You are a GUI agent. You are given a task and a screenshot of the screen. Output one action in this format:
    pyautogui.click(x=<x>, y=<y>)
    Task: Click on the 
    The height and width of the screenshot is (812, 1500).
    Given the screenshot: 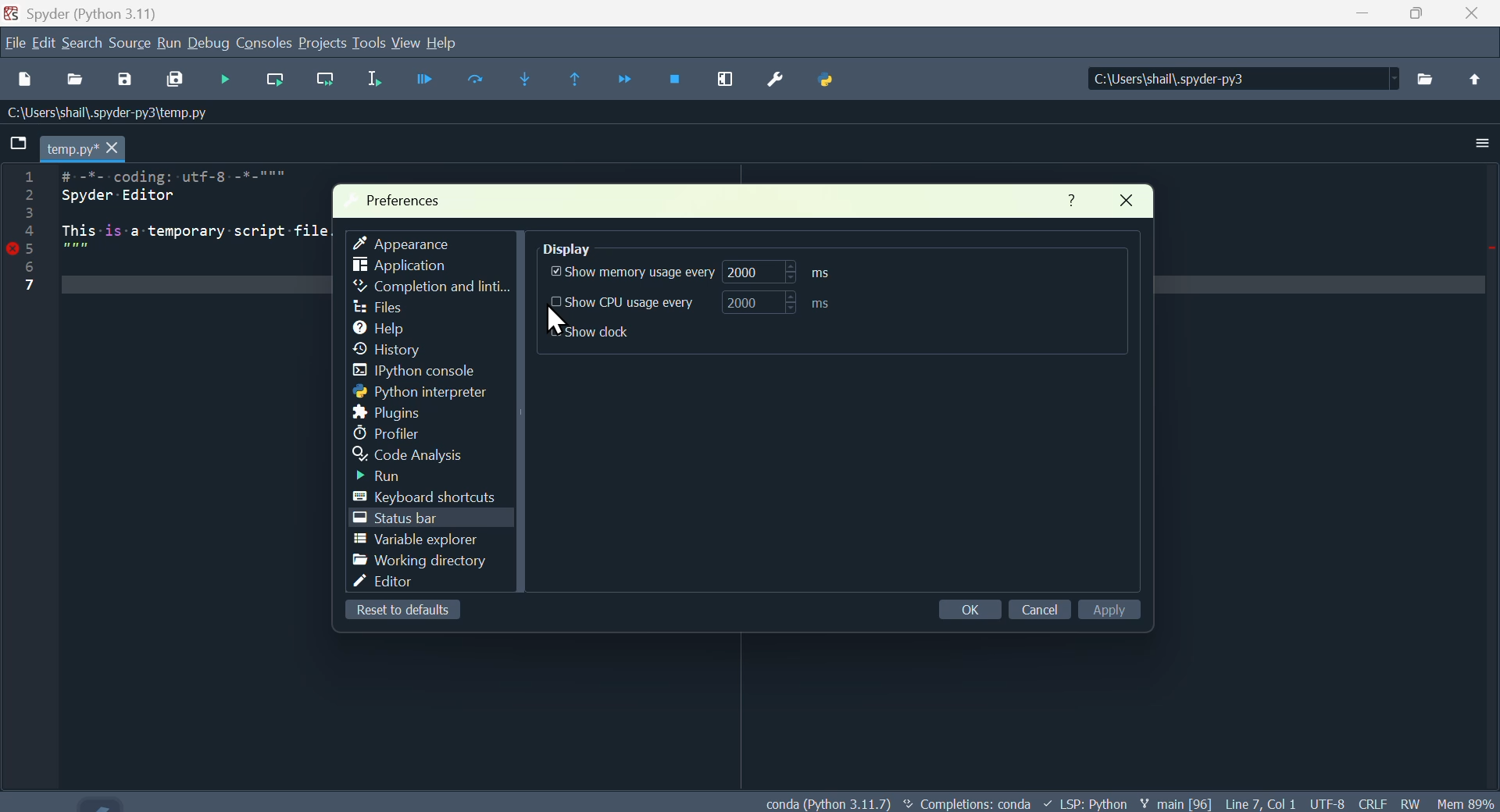 What is the action you would take?
    pyautogui.click(x=45, y=44)
    